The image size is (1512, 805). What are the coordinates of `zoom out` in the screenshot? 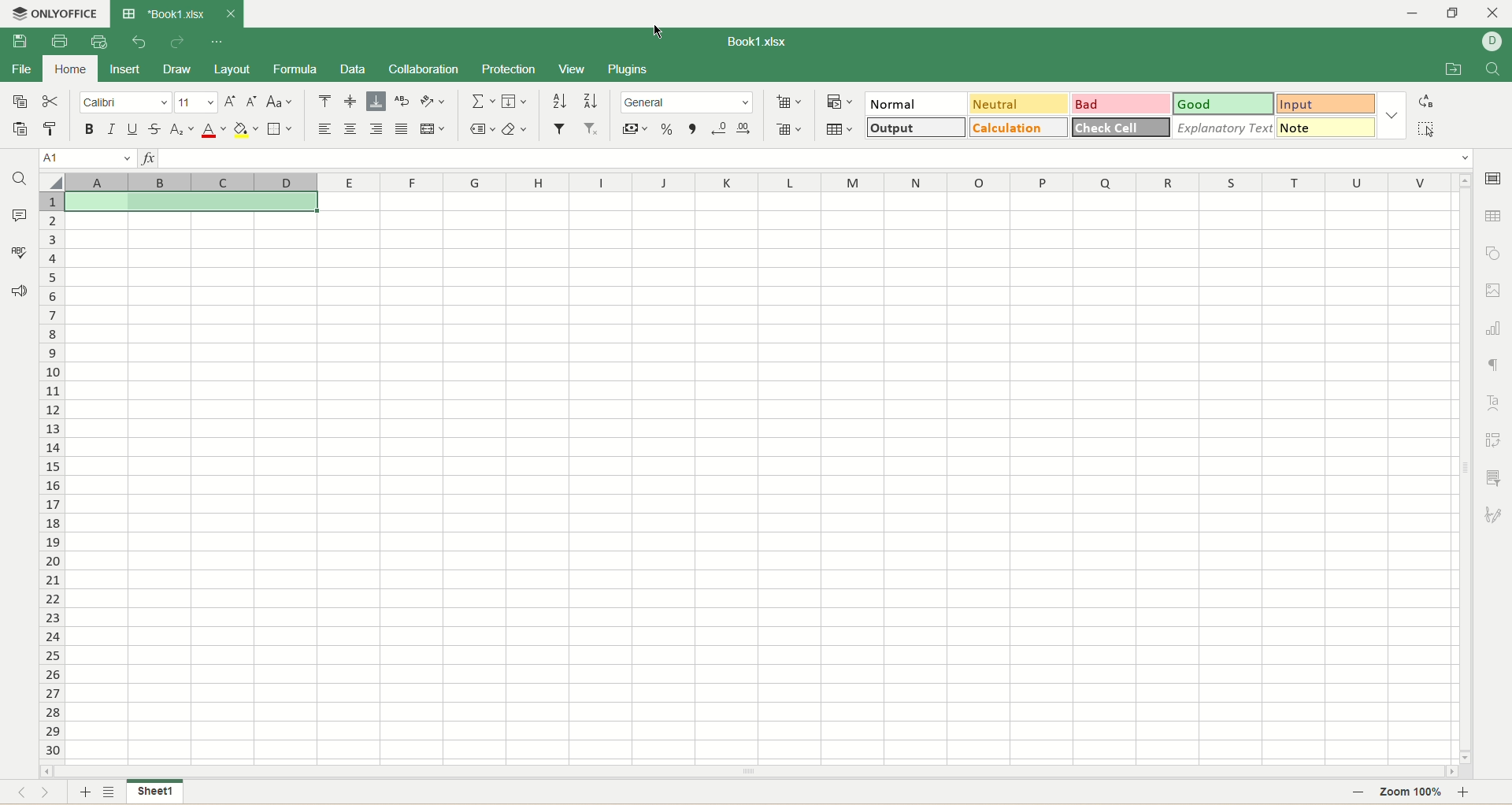 It's located at (1358, 793).